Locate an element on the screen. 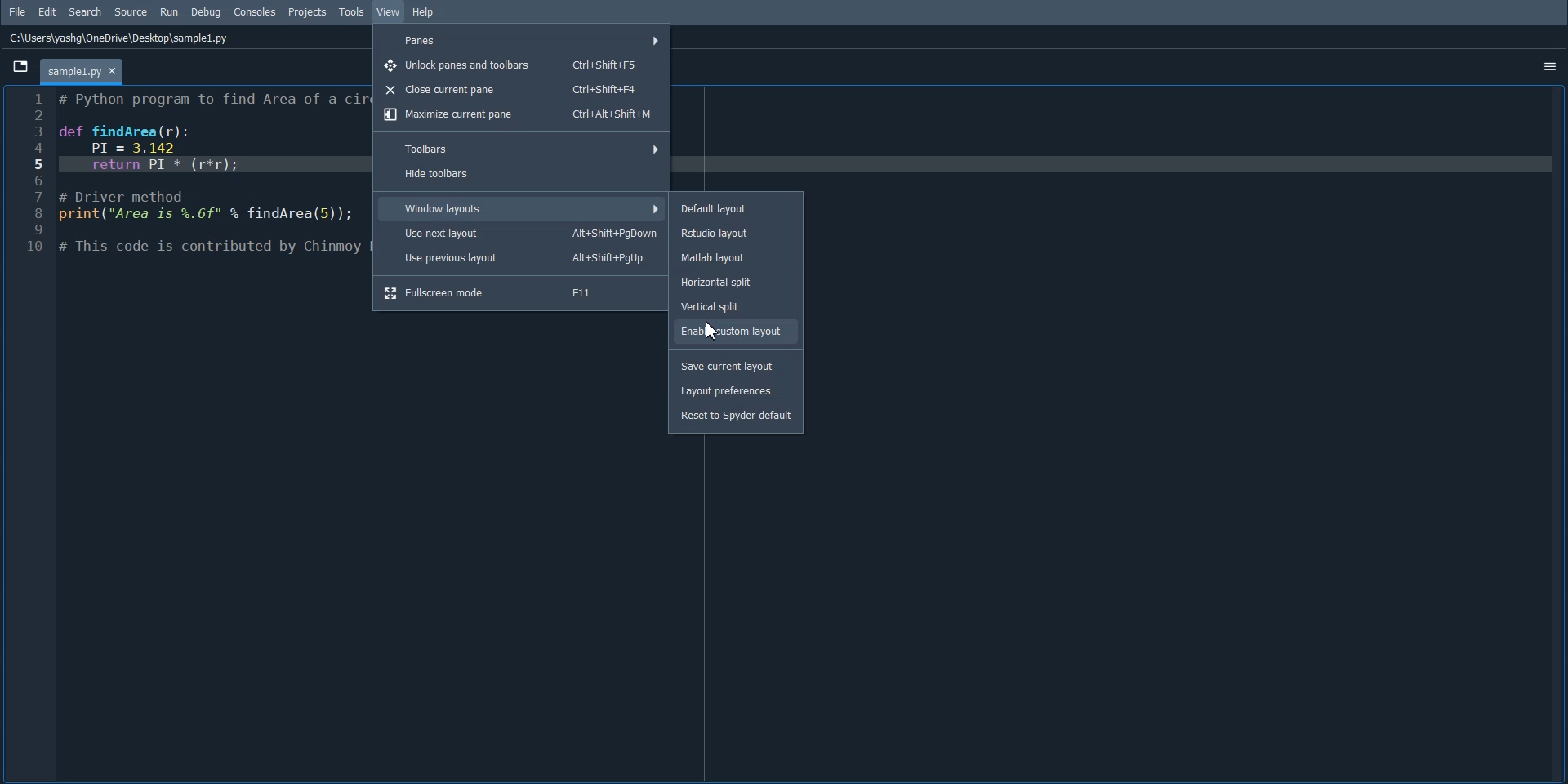  Window layout is located at coordinates (523, 208).